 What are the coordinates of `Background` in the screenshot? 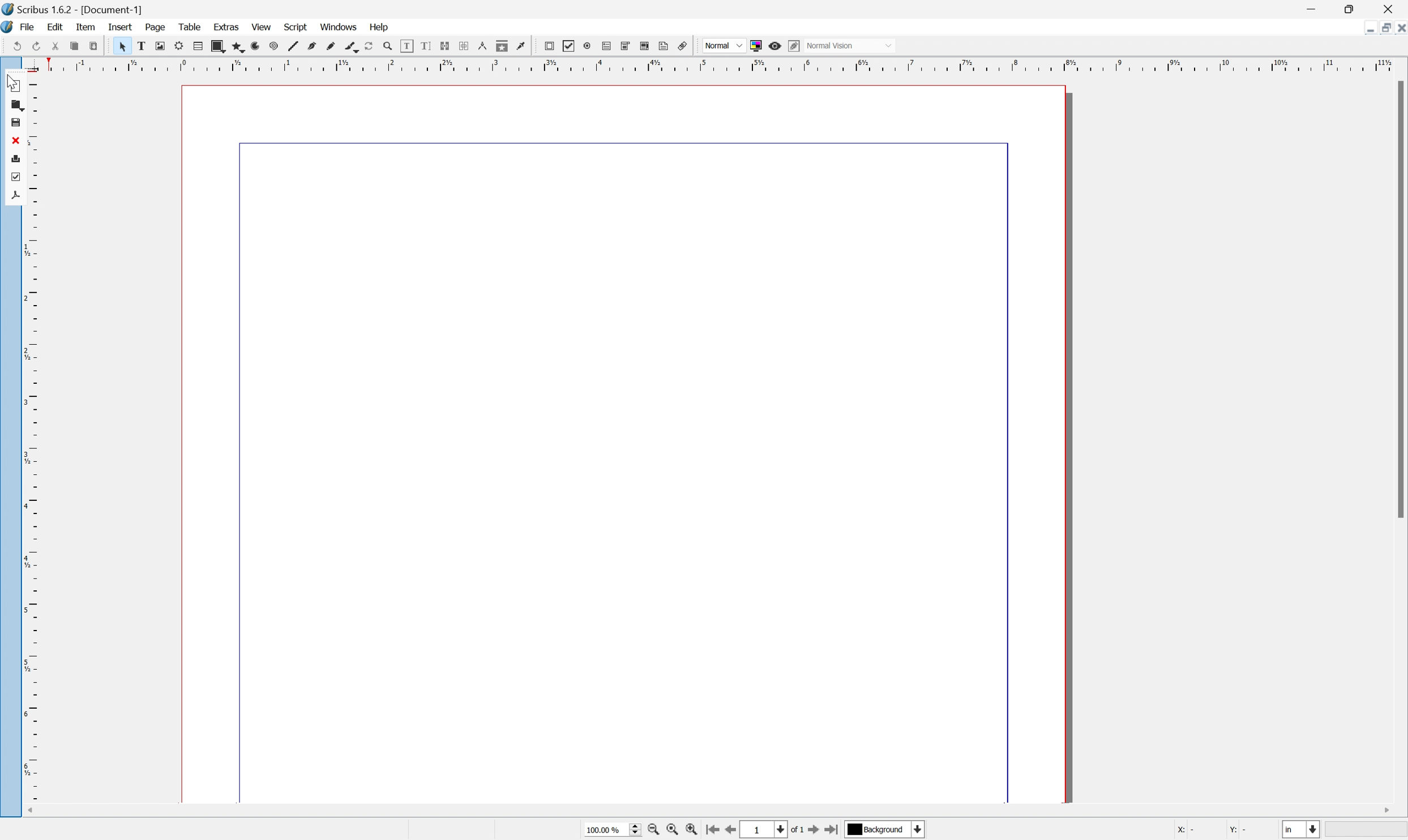 It's located at (884, 830).